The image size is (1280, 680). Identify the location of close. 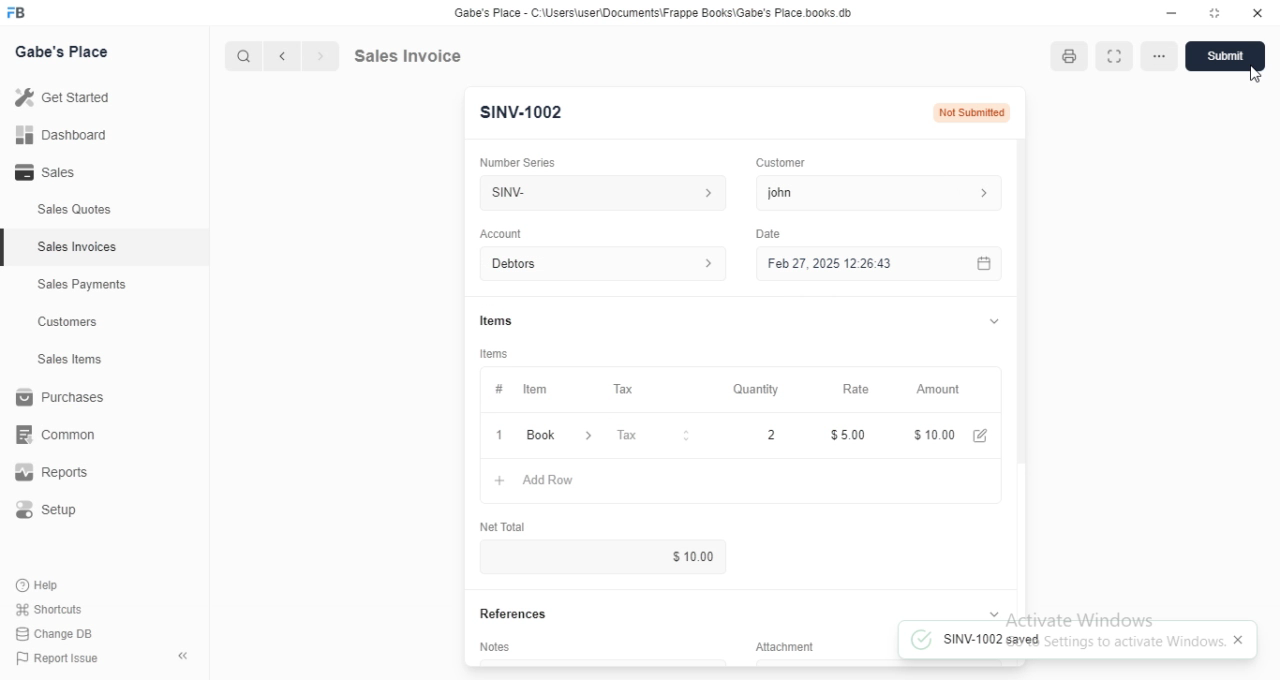
(1241, 641).